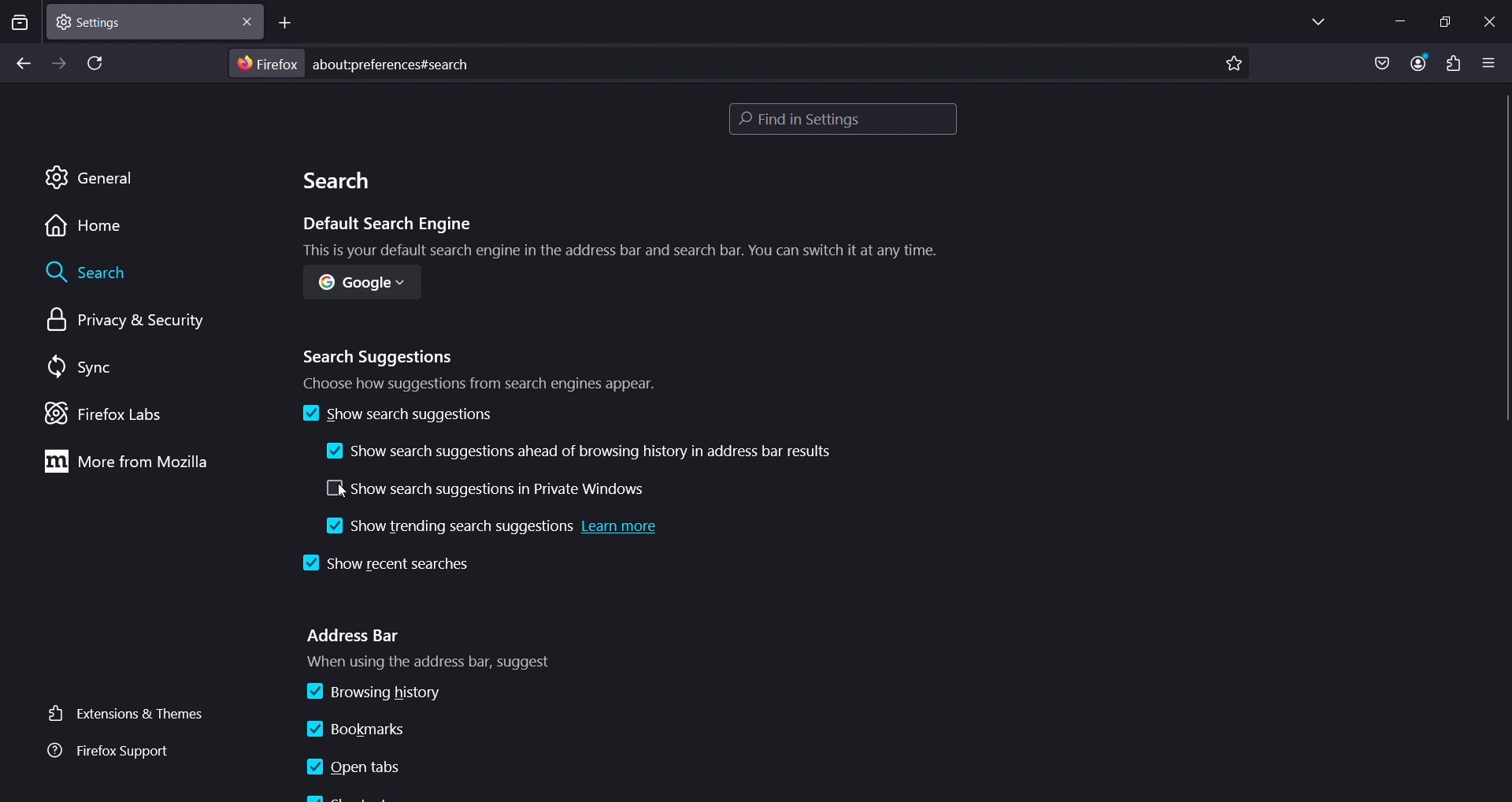 The height and width of the screenshot is (802, 1512). What do you see at coordinates (483, 368) in the screenshot?
I see `search suggestions` at bounding box center [483, 368].